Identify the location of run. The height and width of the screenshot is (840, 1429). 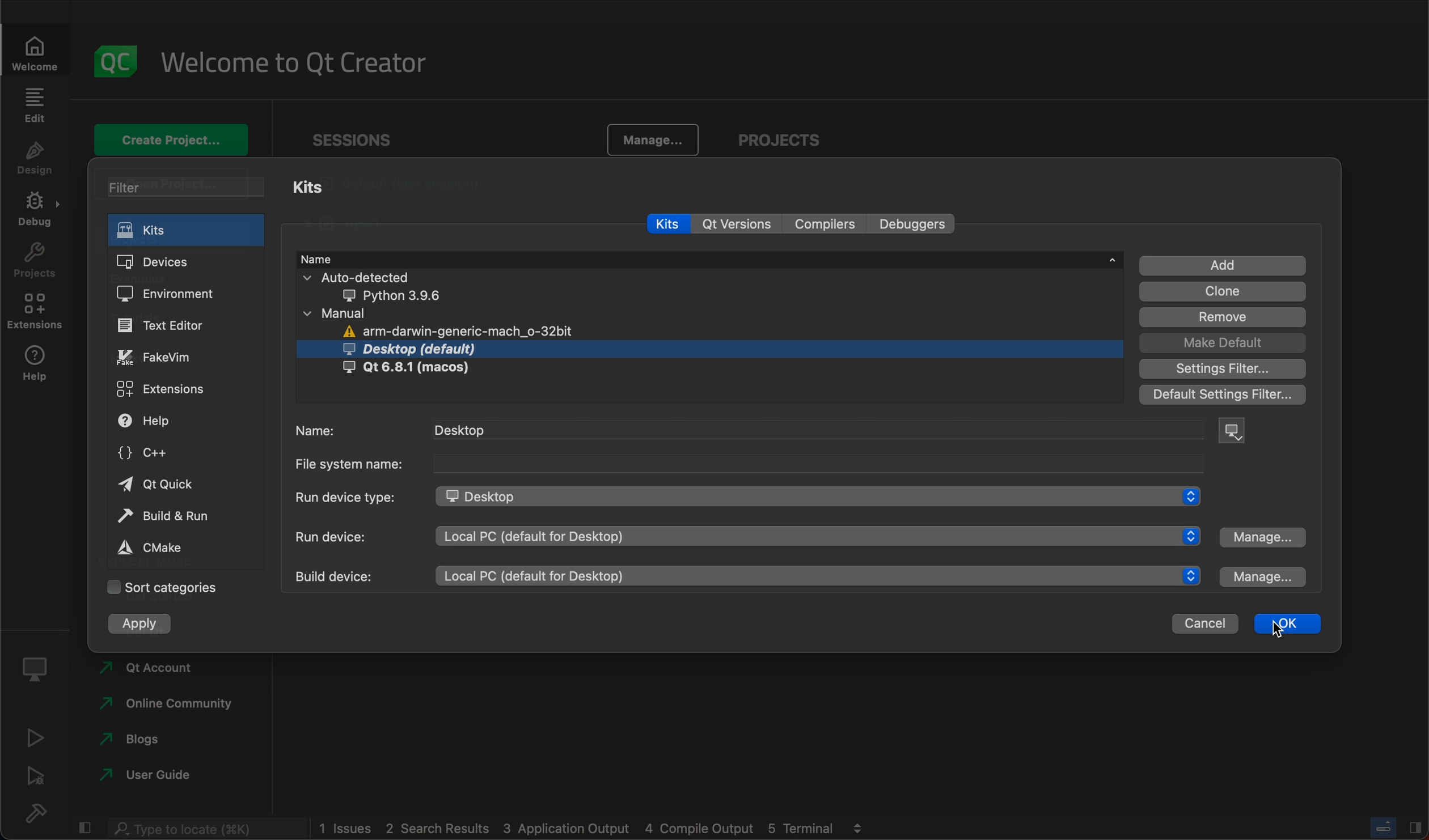
(38, 736).